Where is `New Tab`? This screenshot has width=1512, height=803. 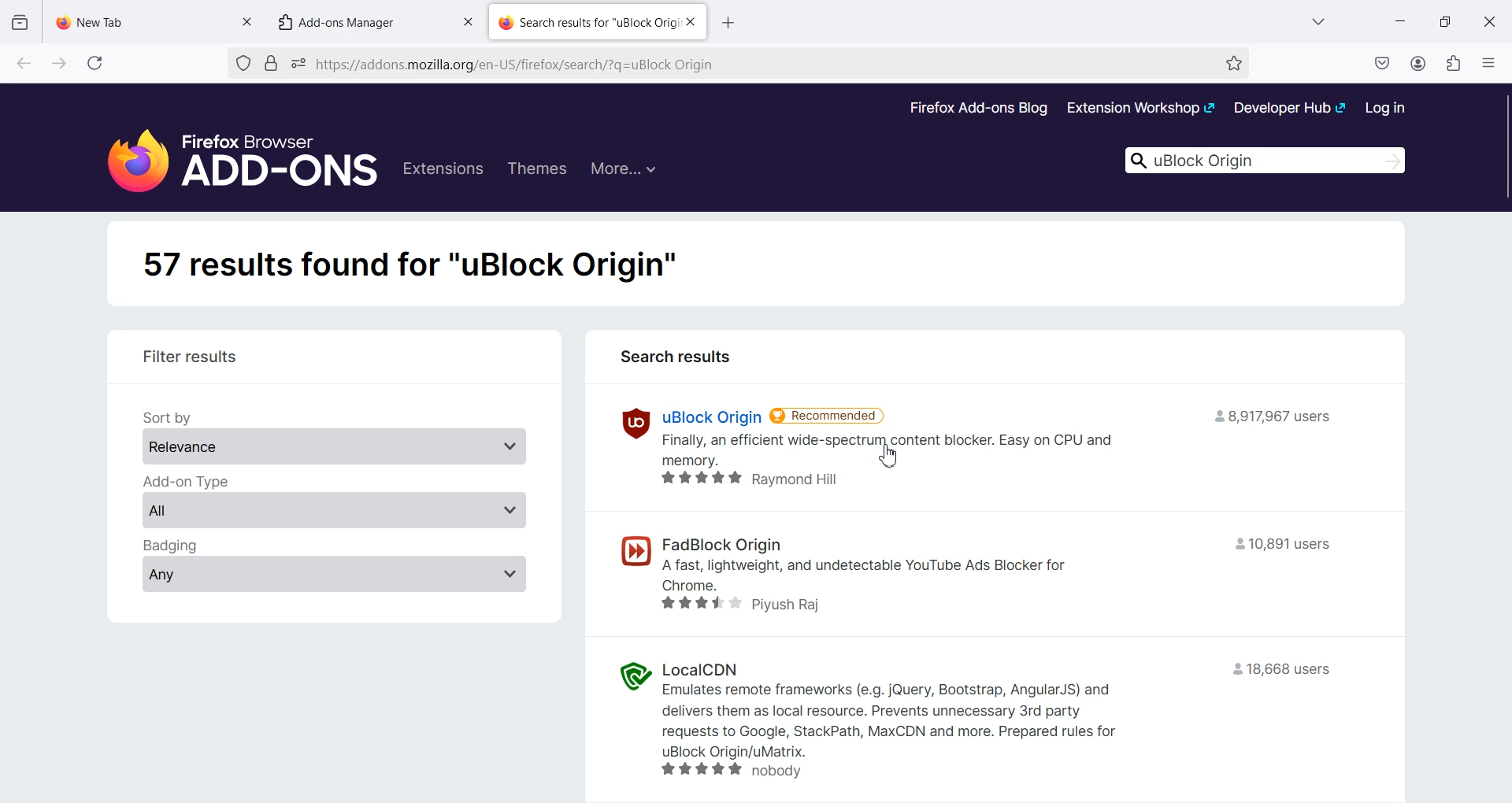
New Tab is located at coordinates (140, 18).